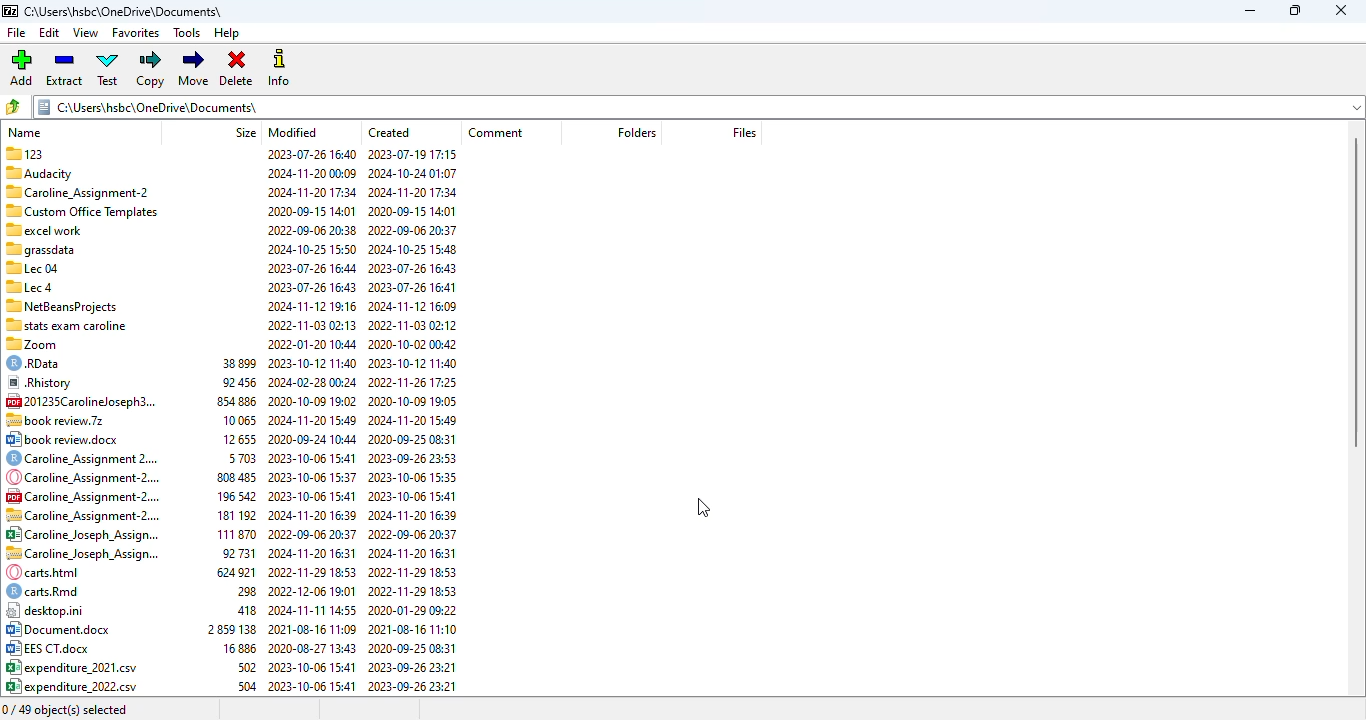 This screenshot has width=1366, height=720. Describe the element at coordinates (635, 133) in the screenshot. I see `folders` at that location.